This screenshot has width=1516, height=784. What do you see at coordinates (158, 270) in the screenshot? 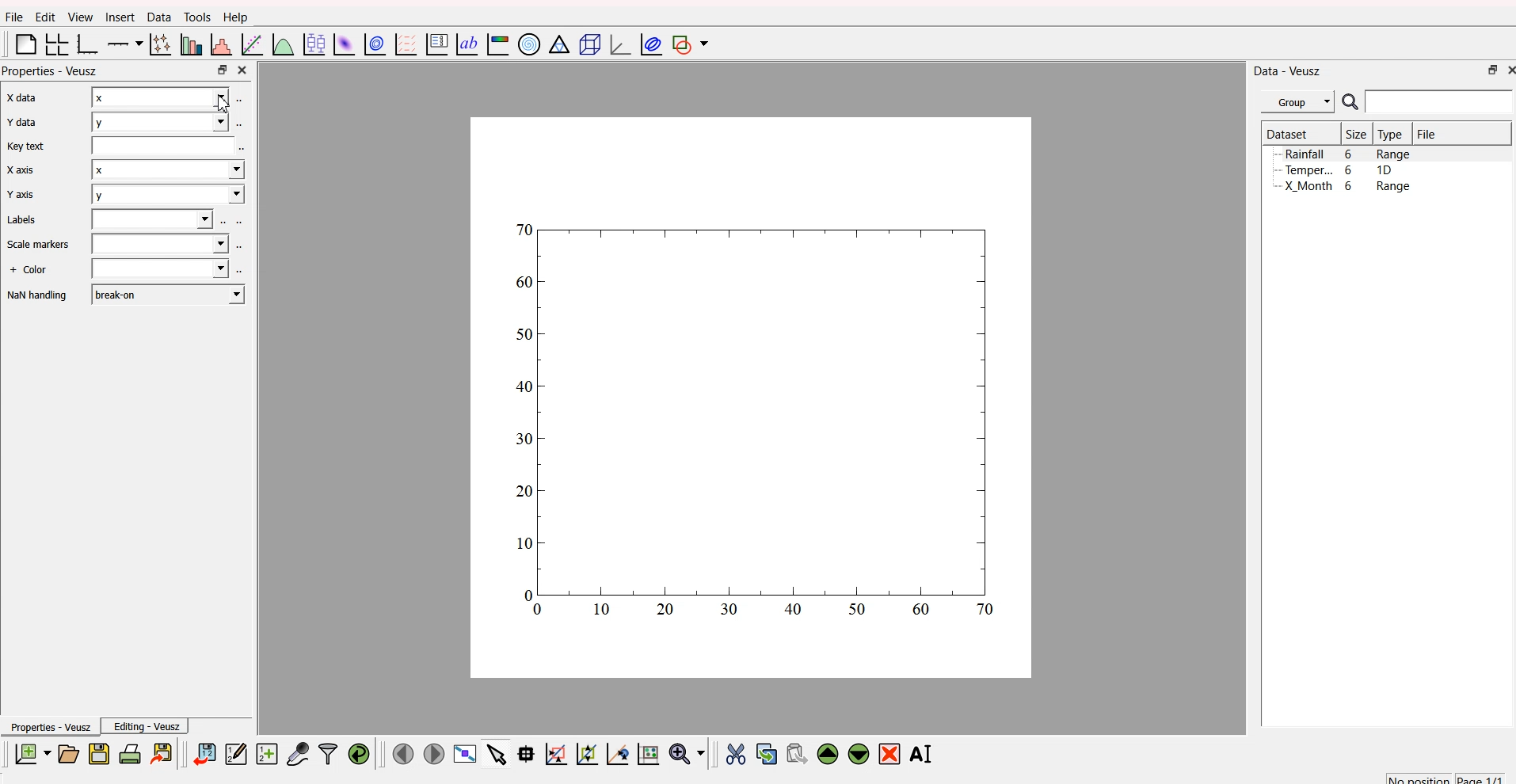
I see `field` at bounding box center [158, 270].